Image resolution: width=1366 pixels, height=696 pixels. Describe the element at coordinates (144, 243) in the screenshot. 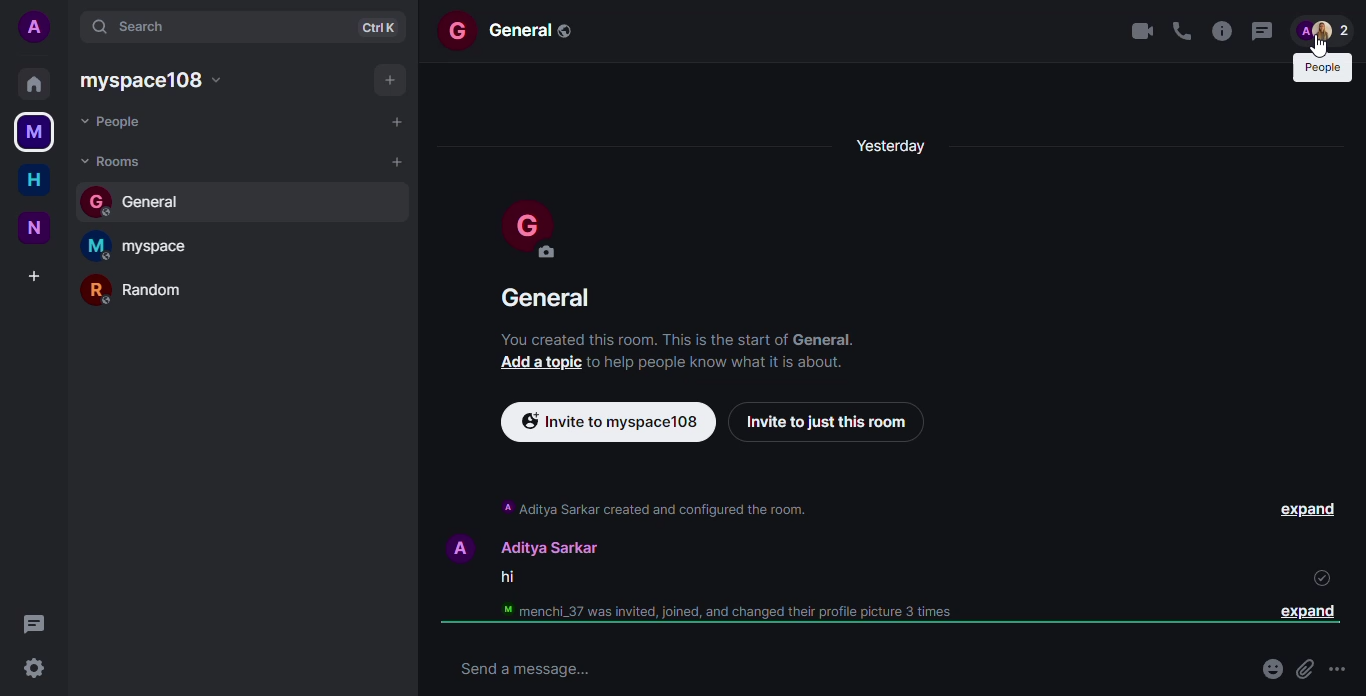

I see `myspace` at that location.